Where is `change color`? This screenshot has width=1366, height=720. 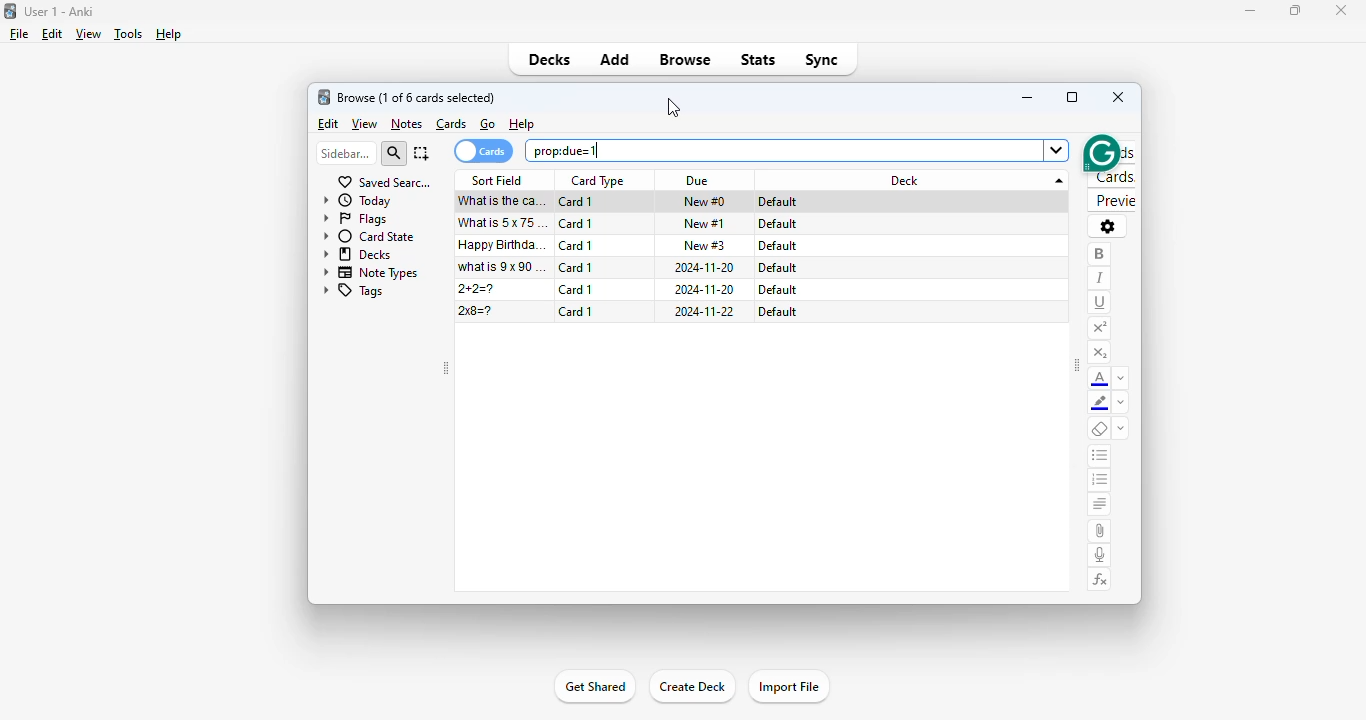 change color is located at coordinates (1122, 403).